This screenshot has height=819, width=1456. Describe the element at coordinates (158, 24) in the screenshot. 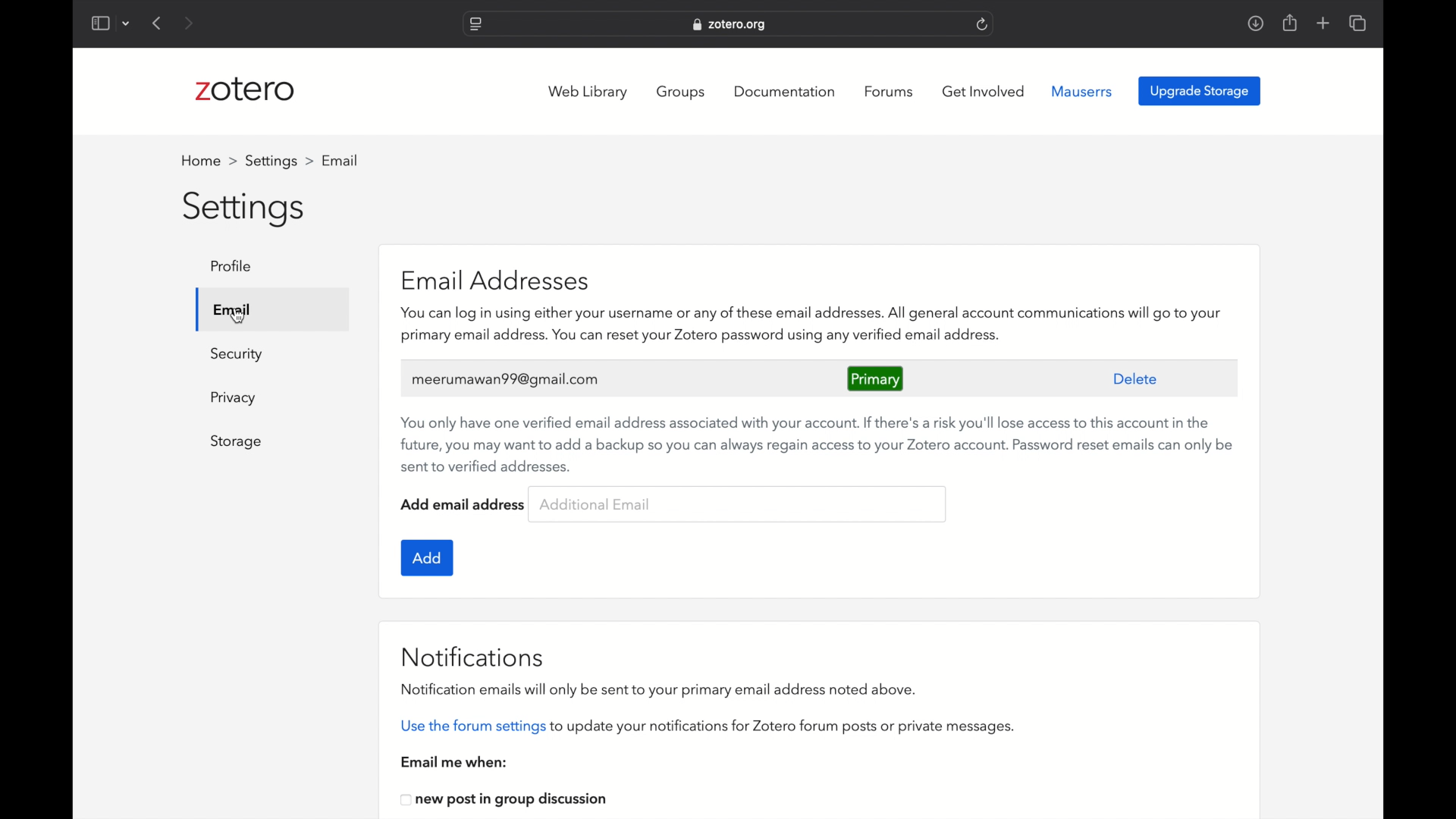

I see `previous` at that location.